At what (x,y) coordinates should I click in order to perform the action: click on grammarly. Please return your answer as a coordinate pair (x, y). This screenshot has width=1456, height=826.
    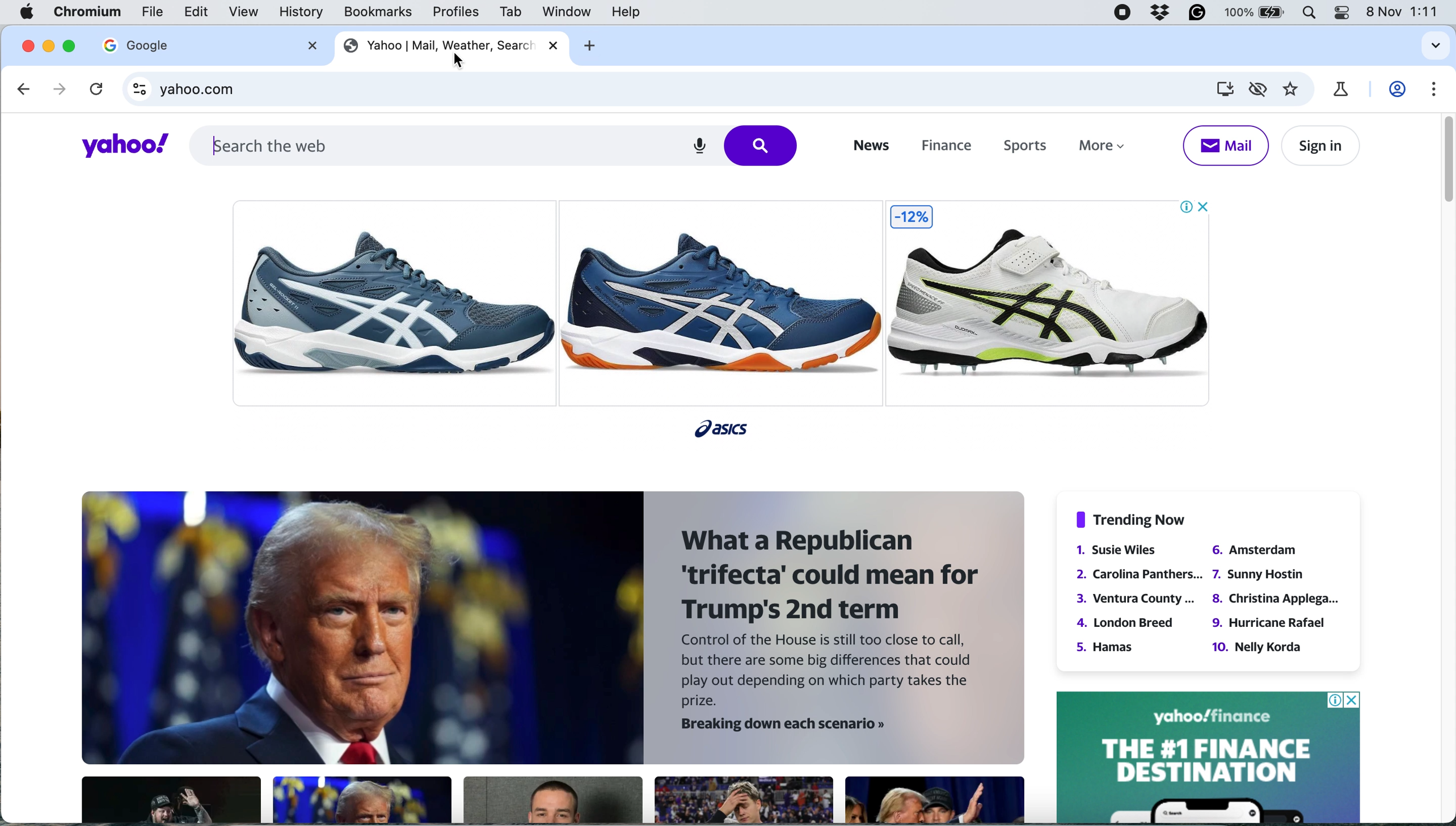
    Looking at the image, I should click on (1198, 14).